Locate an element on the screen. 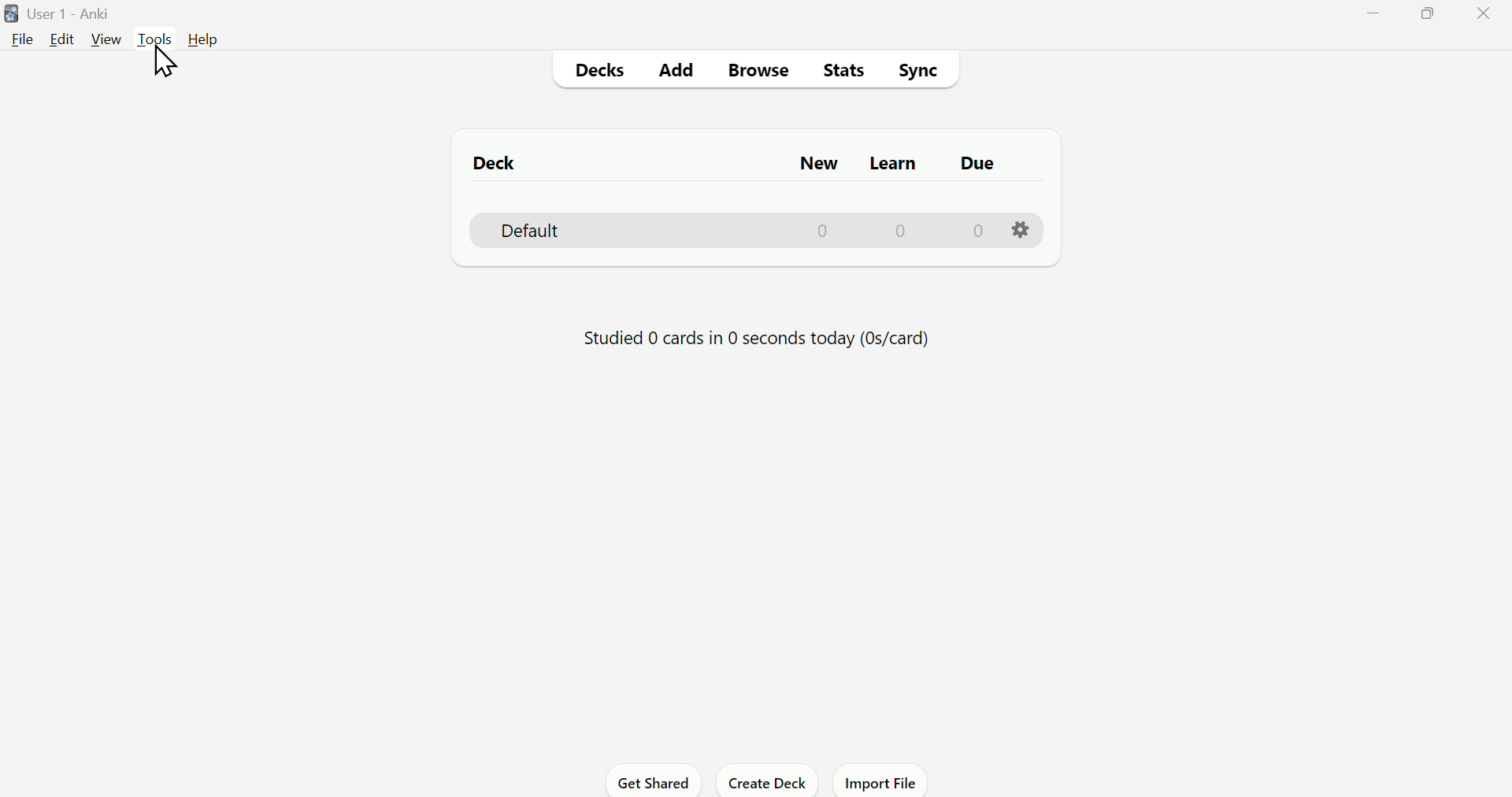 This screenshot has height=797, width=1512. View is located at coordinates (103, 38).